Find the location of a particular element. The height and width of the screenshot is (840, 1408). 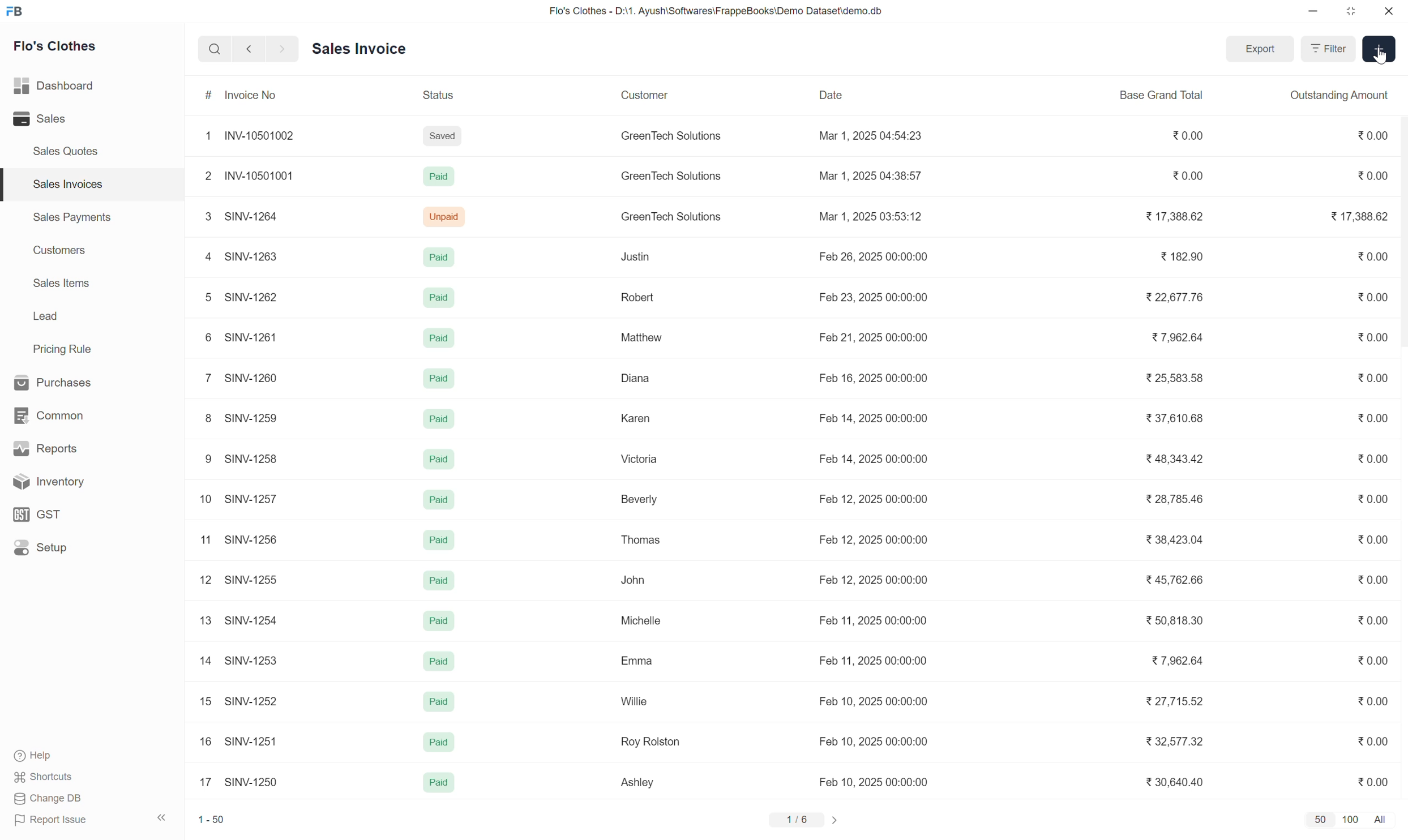

Feb 21, 2025 00:00:00 is located at coordinates (872, 338).